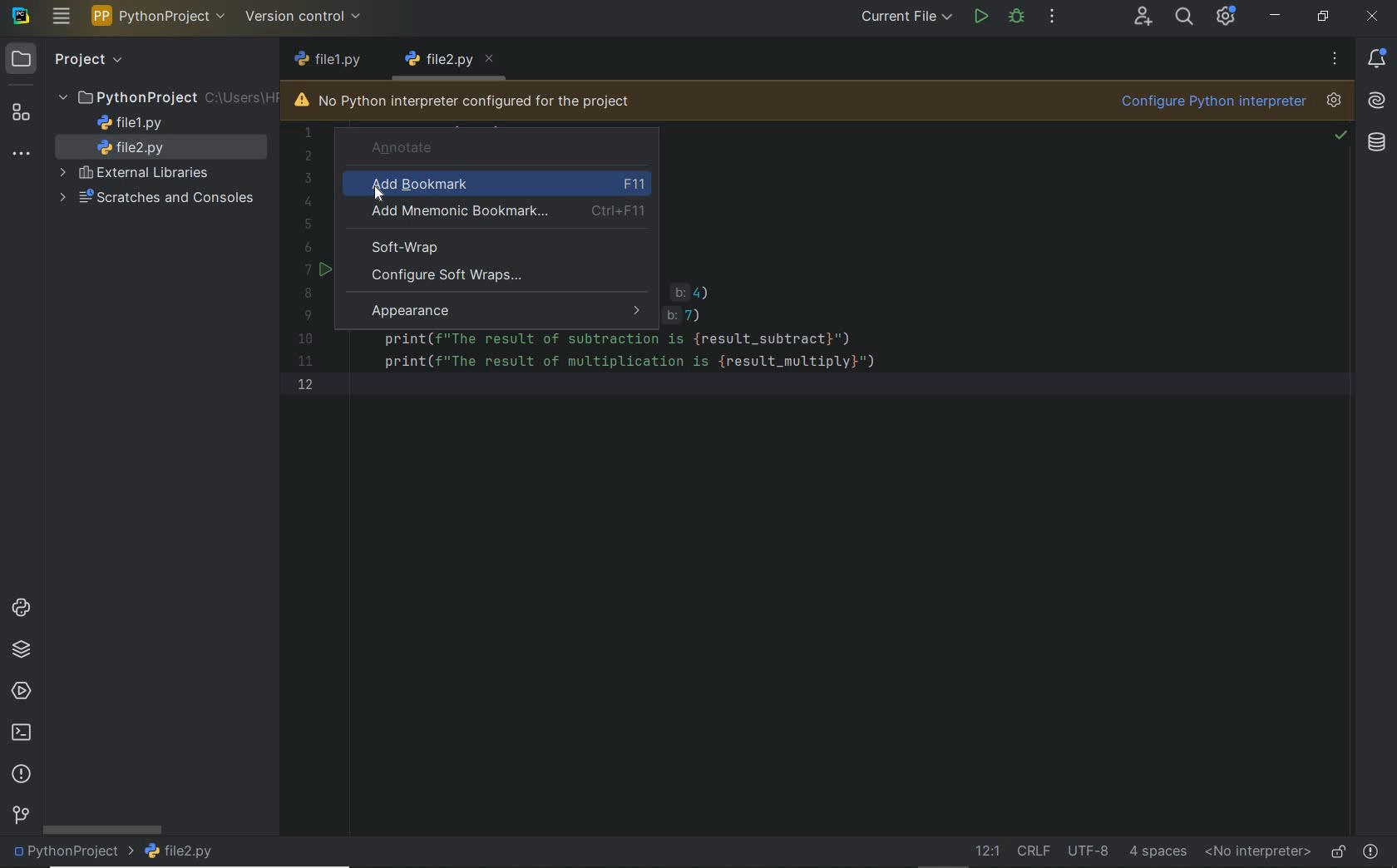  I want to click on close, so click(495, 57).